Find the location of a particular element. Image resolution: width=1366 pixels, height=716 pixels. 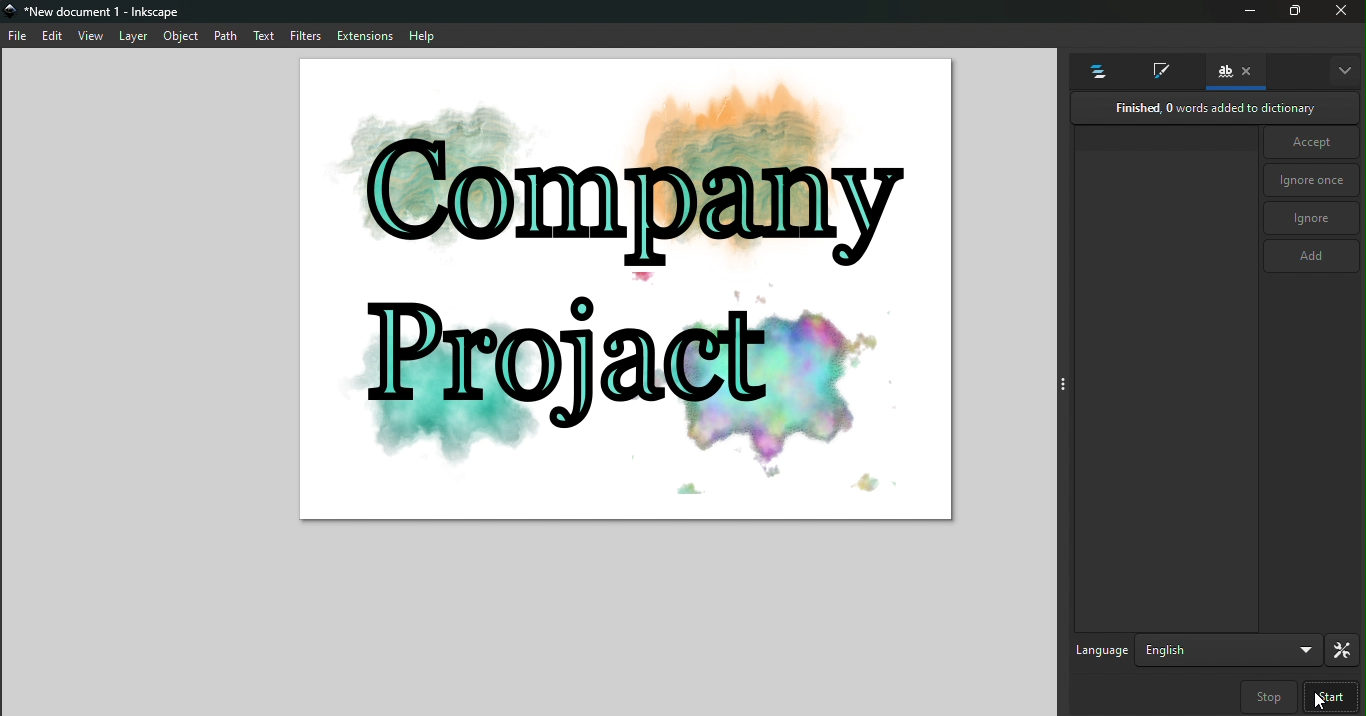

Accept is located at coordinates (1312, 141).